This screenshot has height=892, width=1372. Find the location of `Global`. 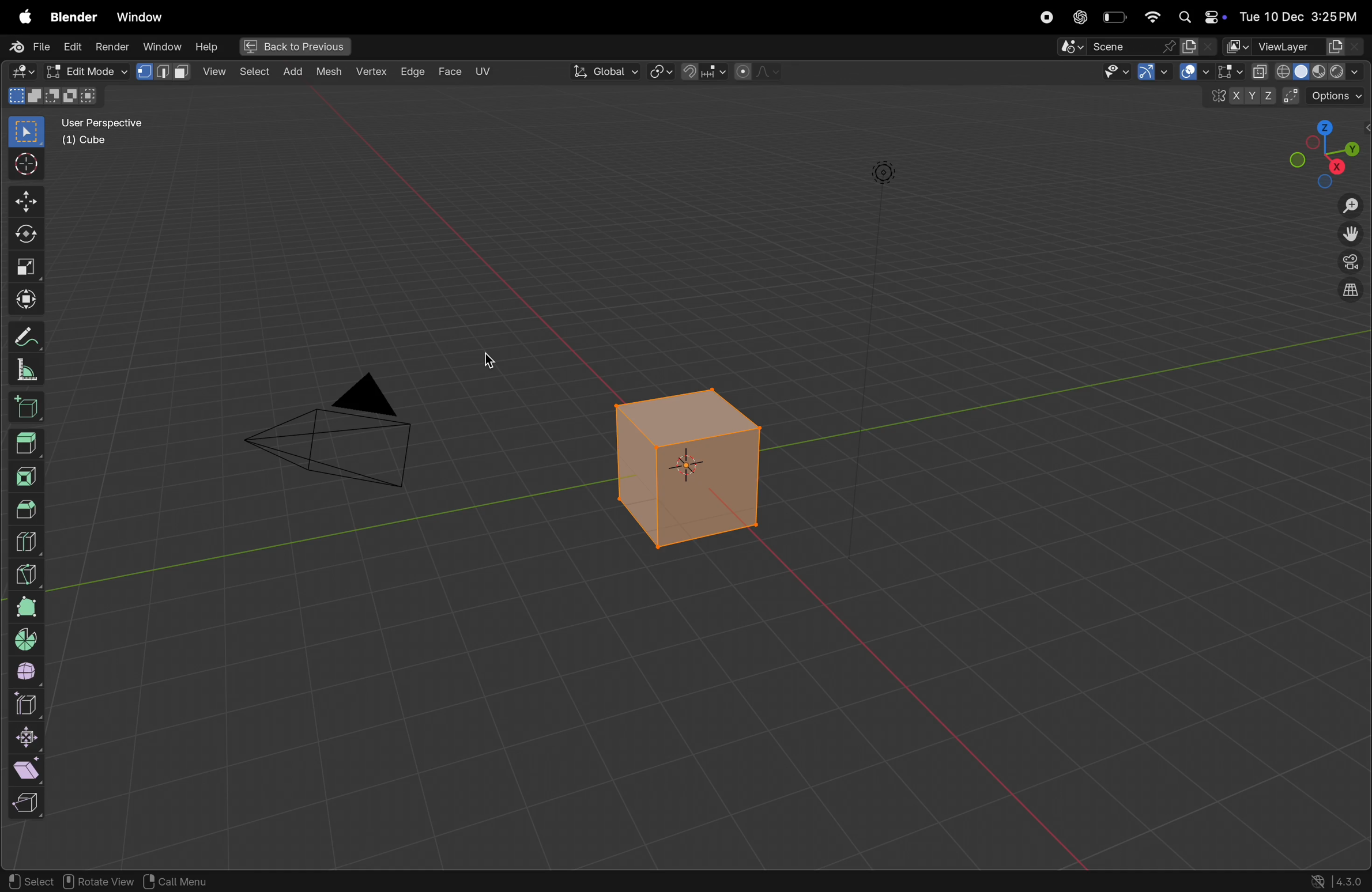

Global is located at coordinates (606, 71).